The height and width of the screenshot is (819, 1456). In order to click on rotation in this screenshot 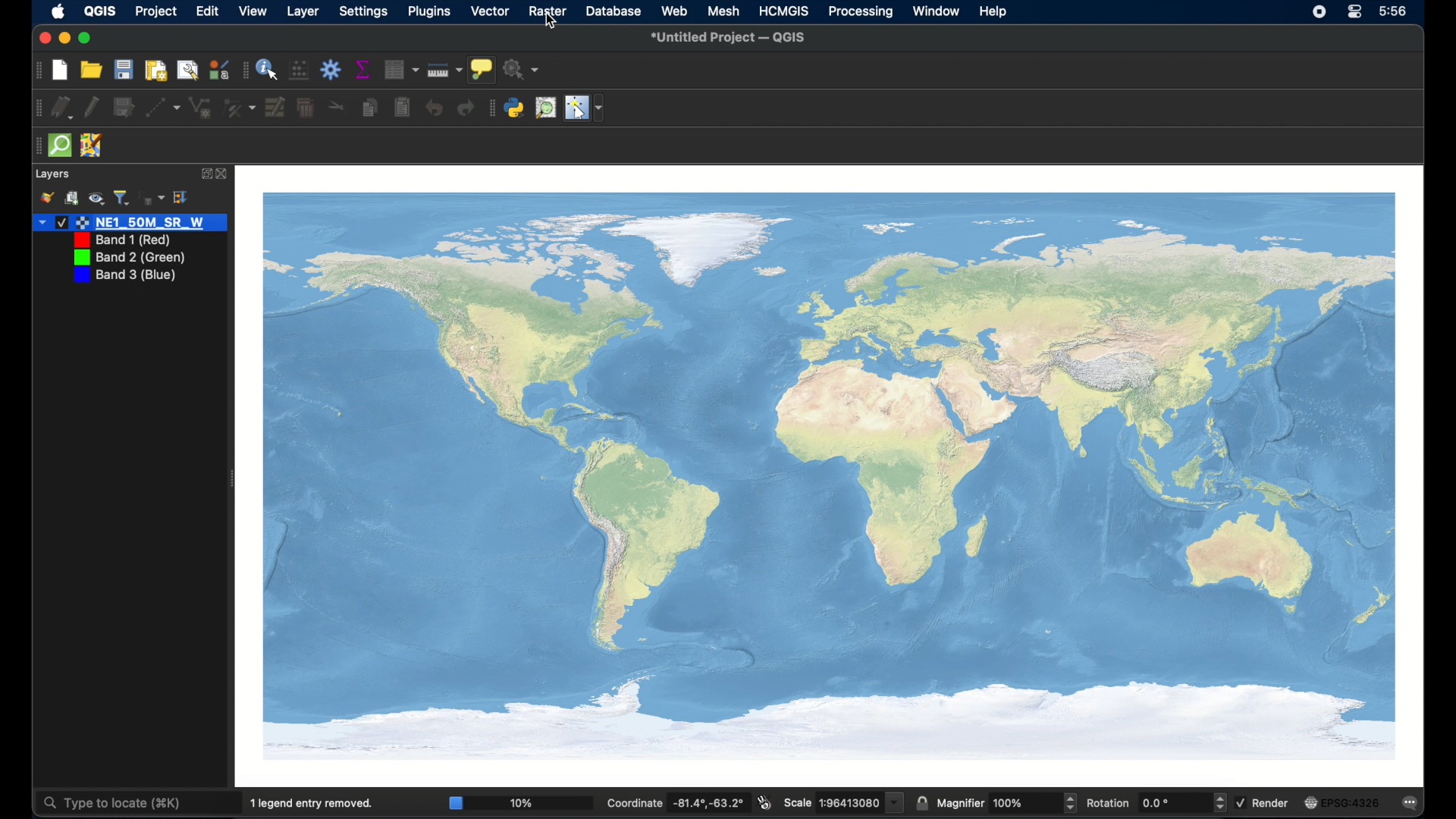, I will do `click(1148, 802)`.